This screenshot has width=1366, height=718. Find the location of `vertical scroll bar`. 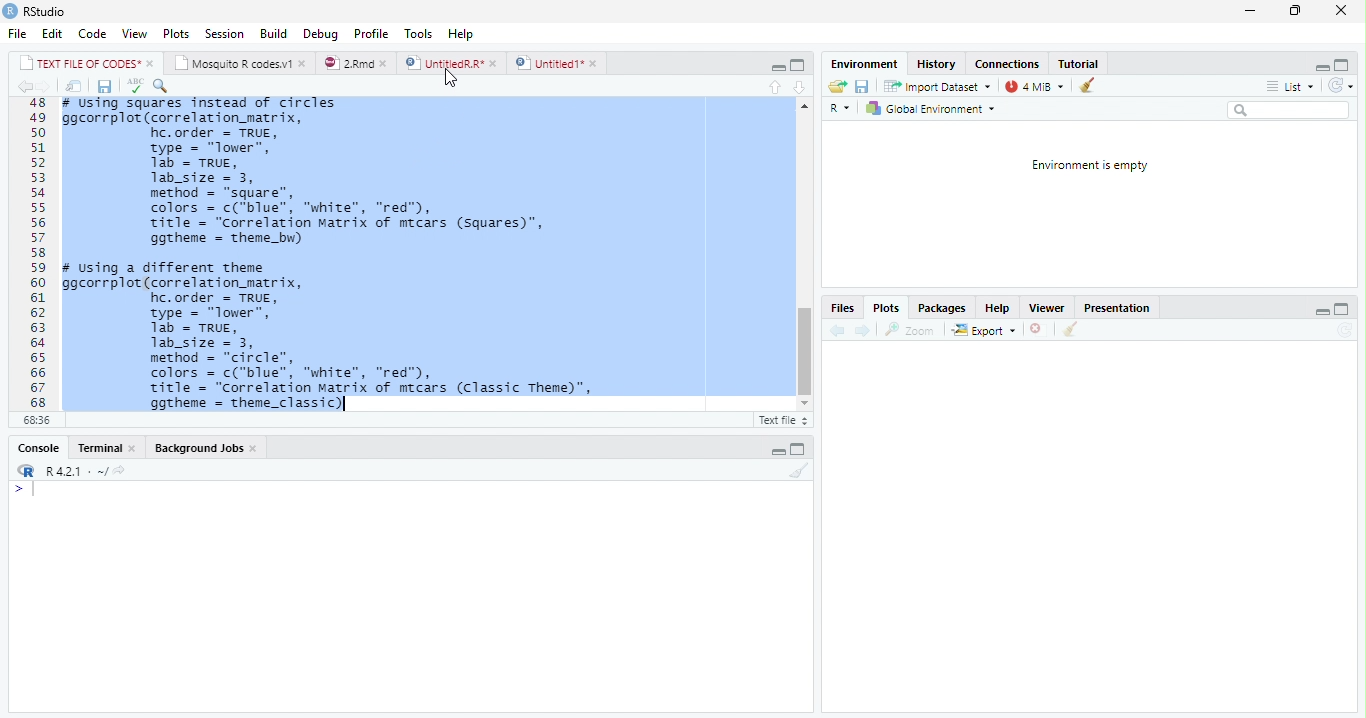

vertical scroll bar is located at coordinates (803, 258).